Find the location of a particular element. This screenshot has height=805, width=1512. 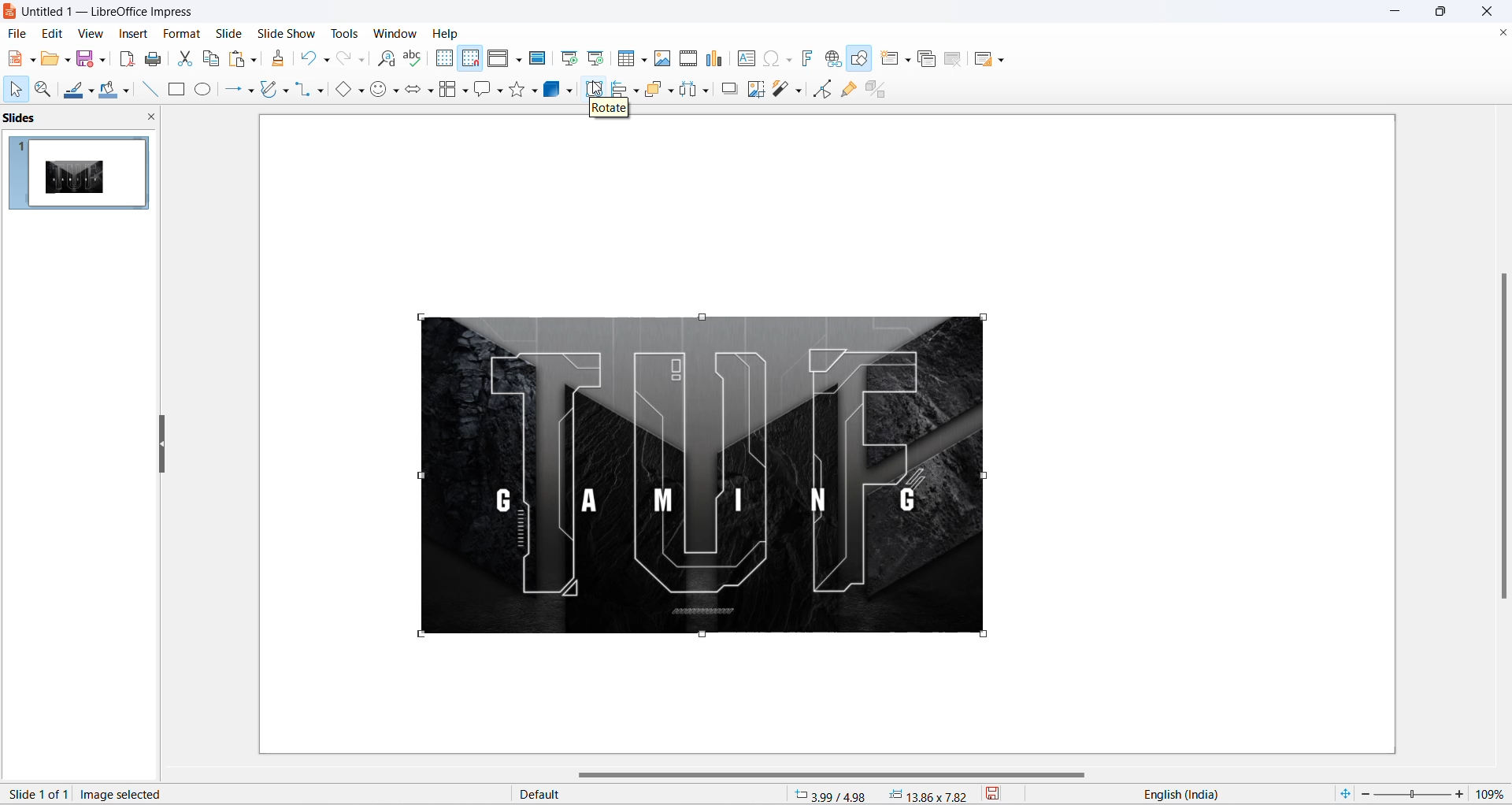

display grid is located at coordinates (443, 57).